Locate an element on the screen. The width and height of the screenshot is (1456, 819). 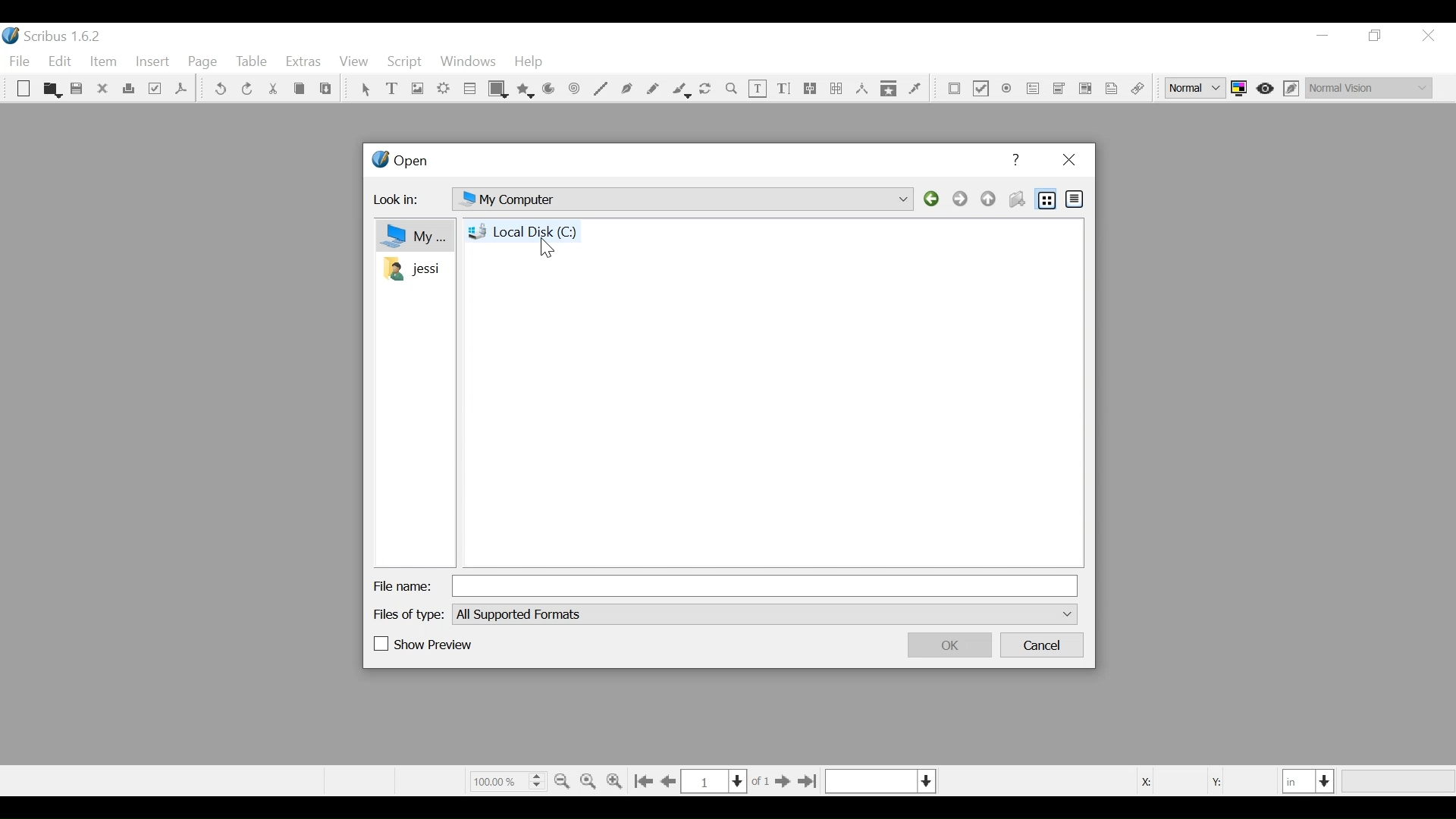
Forward is located at coordinates (962, 199).